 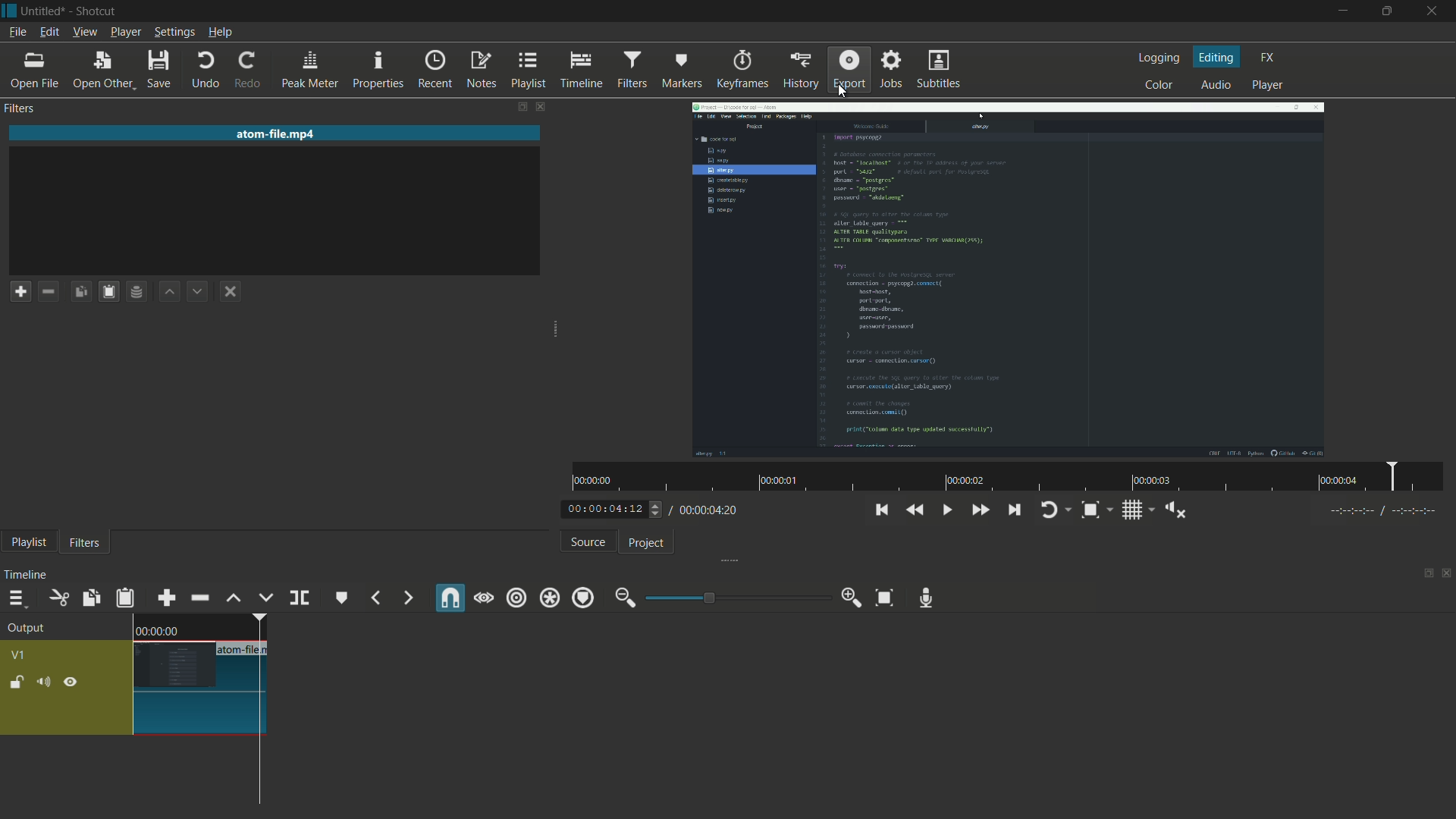 I want to click on logging, so click(x=1158, y=58).